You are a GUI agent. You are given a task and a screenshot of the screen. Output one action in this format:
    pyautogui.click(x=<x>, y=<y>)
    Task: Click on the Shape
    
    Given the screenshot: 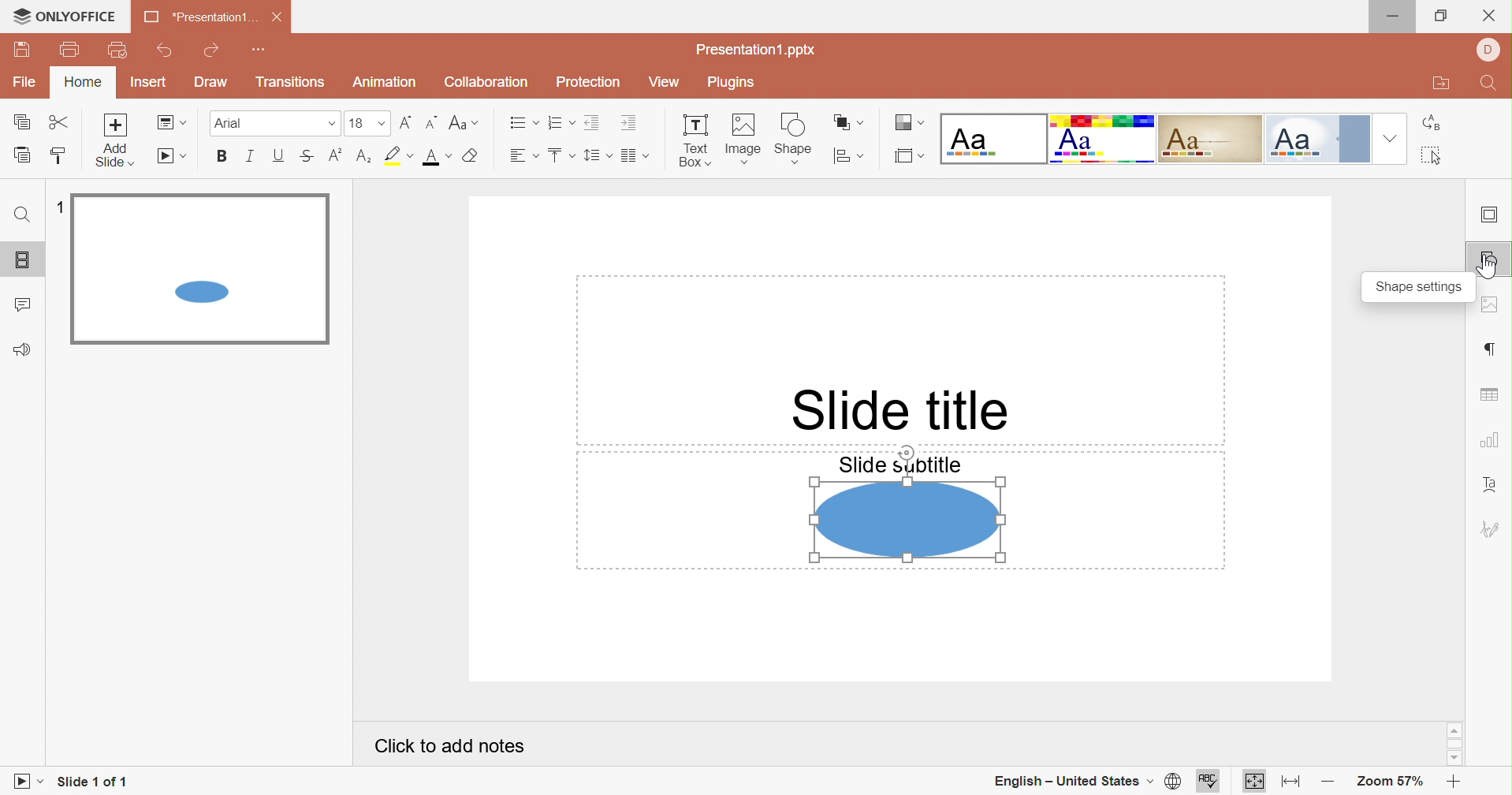 What is the action you would take?
    pyautogui.click(x=907, y=520)
    